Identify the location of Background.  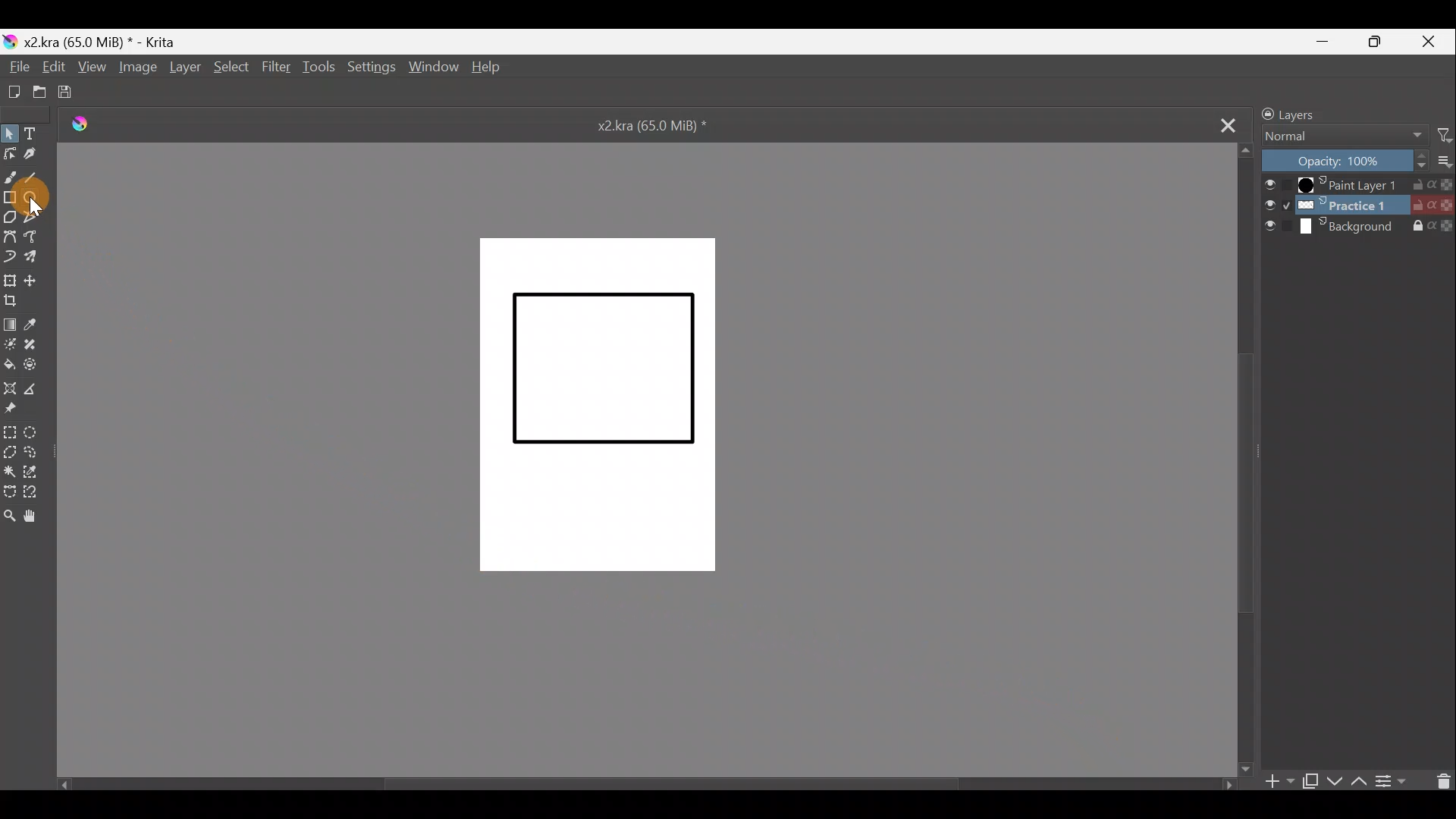
(1361, 231).